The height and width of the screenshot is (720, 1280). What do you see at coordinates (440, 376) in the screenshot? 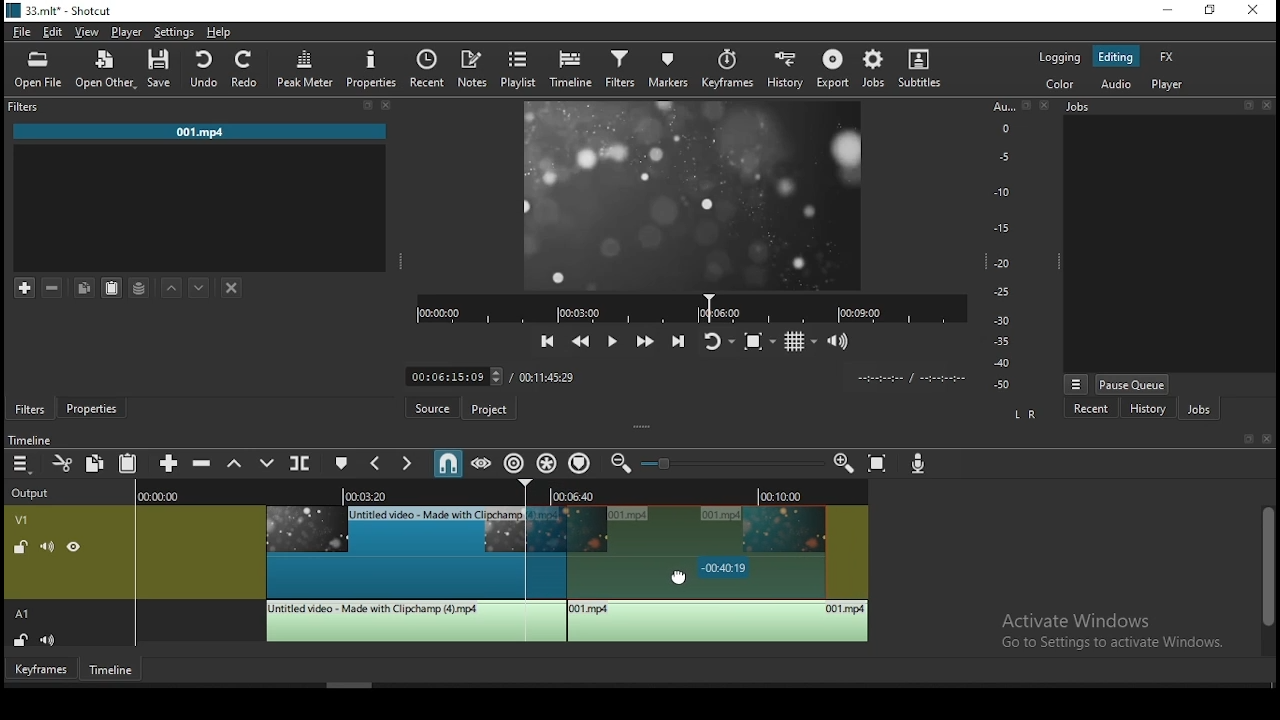
I see `elapsed time` at bounding box center [440, 376].